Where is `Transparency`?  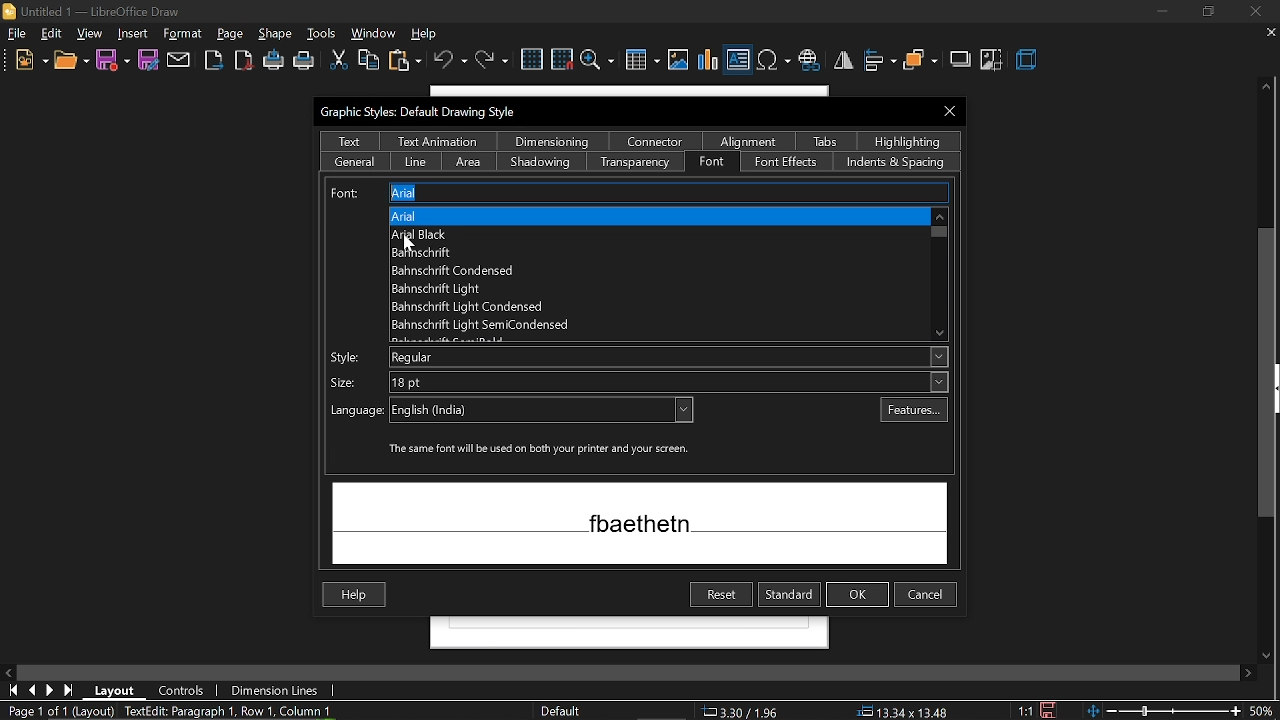 Transparency is located at coordinates (636, 163).